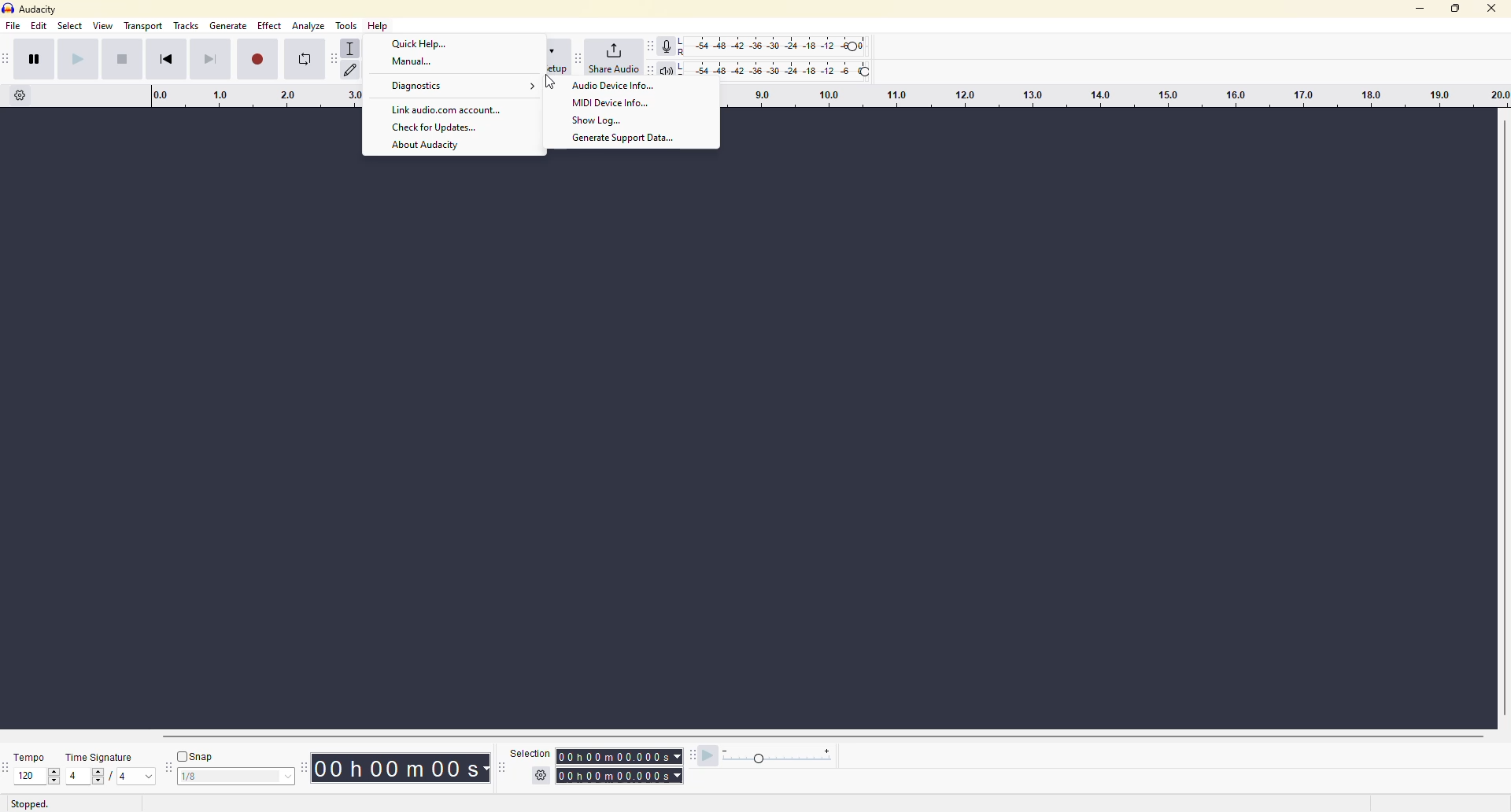 The image size is (1511, 812). Describe the element at coordinates (630, 139) in the screenshot. I see `Generate Support Data.` at that location.